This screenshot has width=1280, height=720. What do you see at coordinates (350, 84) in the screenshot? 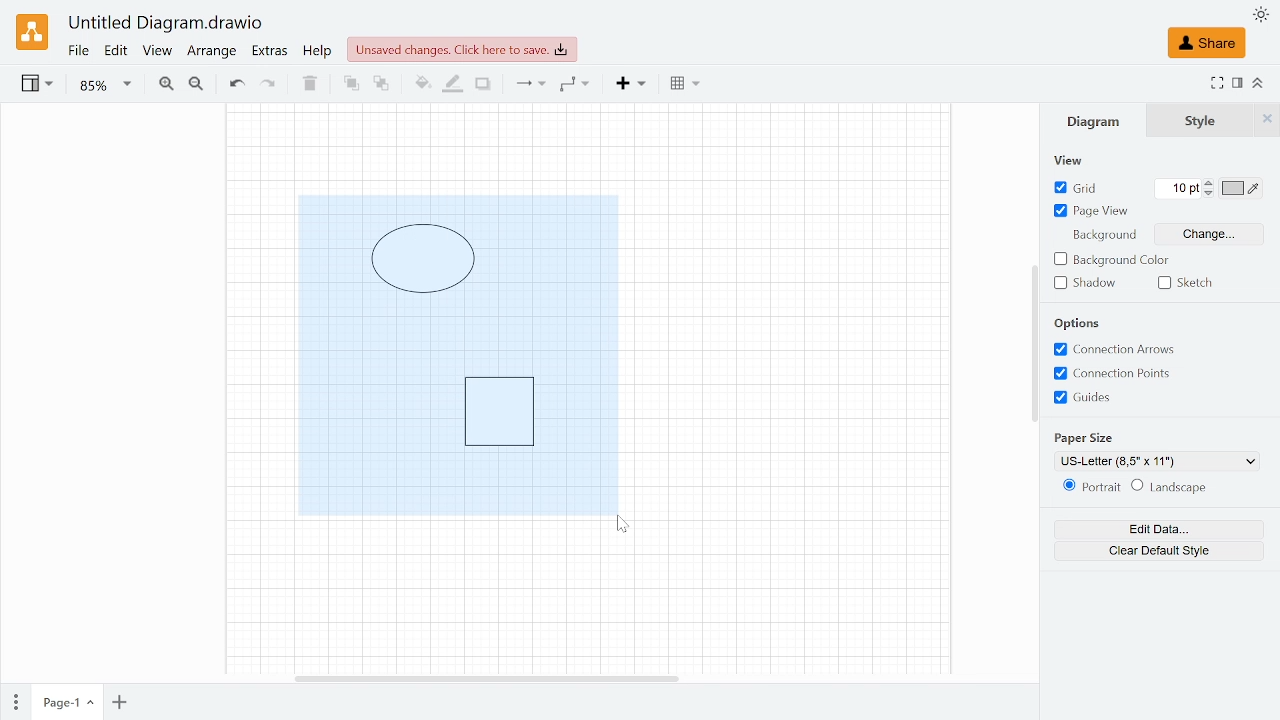
I see `TO front` at bounding box center [350, 84].